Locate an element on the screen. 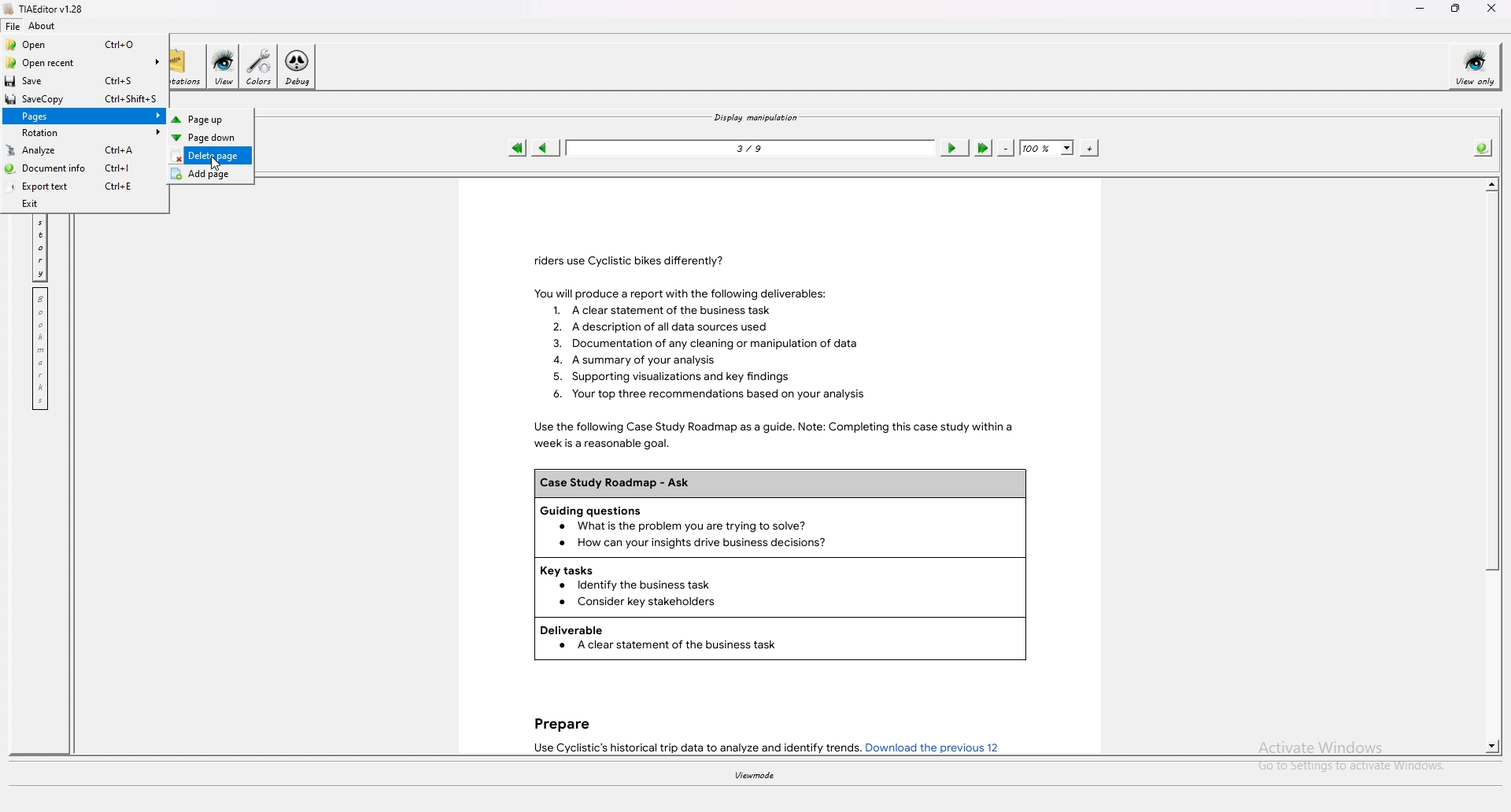  Save Ctrl+S is located at coordinates (83, 80).